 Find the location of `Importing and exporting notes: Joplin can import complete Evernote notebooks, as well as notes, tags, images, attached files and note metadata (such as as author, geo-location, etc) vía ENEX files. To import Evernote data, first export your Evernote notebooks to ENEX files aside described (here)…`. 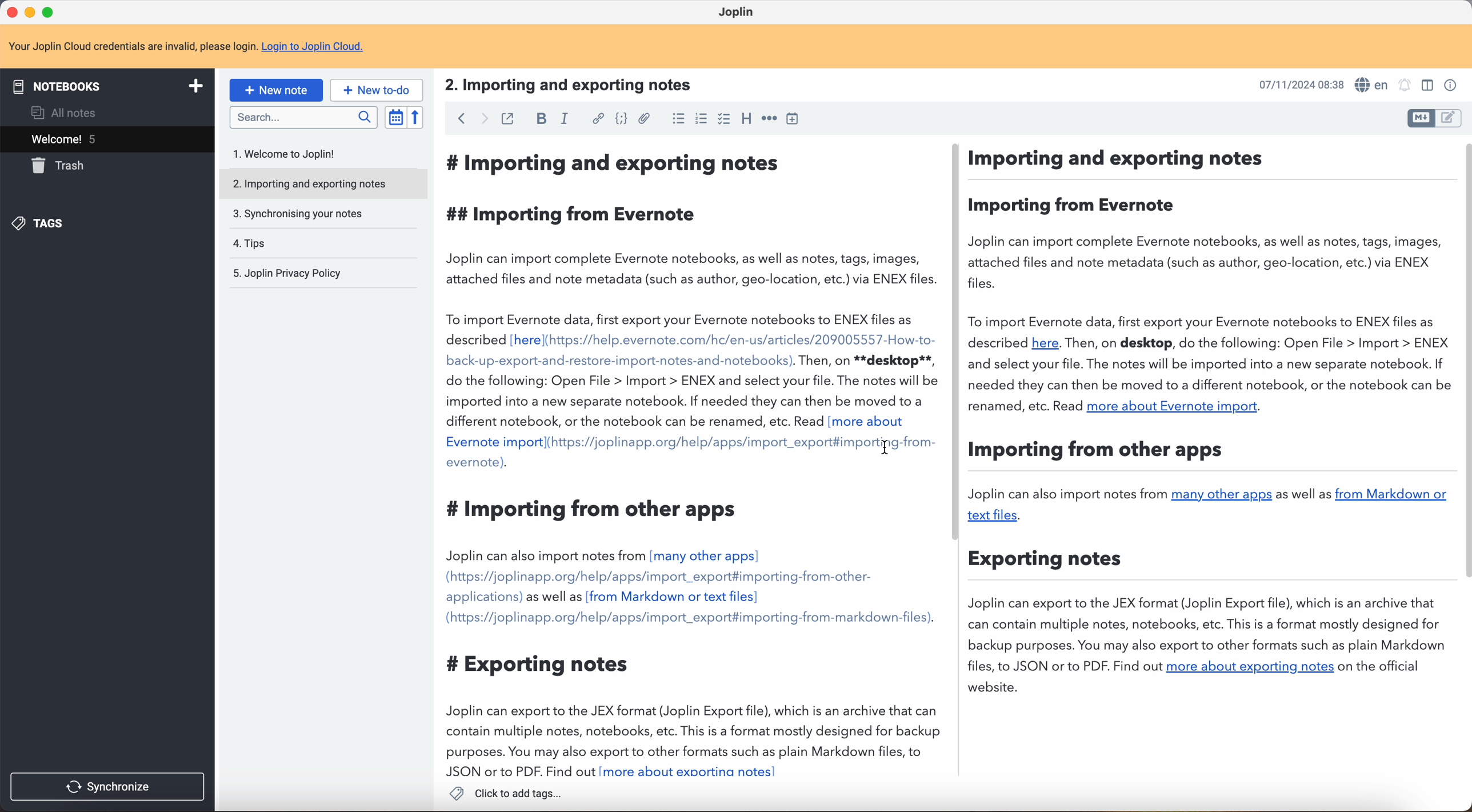

Importing and exporting notes: Joplin can import complete Evernote notebooks, as well as notes, tags, images, attached files and note metadata (such as as author, geo-location, etc) vía ENEX files. To import Evernote data, first export your Evernote notebooks to ENEX files aside described (here)… is located at coordinates (689, 461).